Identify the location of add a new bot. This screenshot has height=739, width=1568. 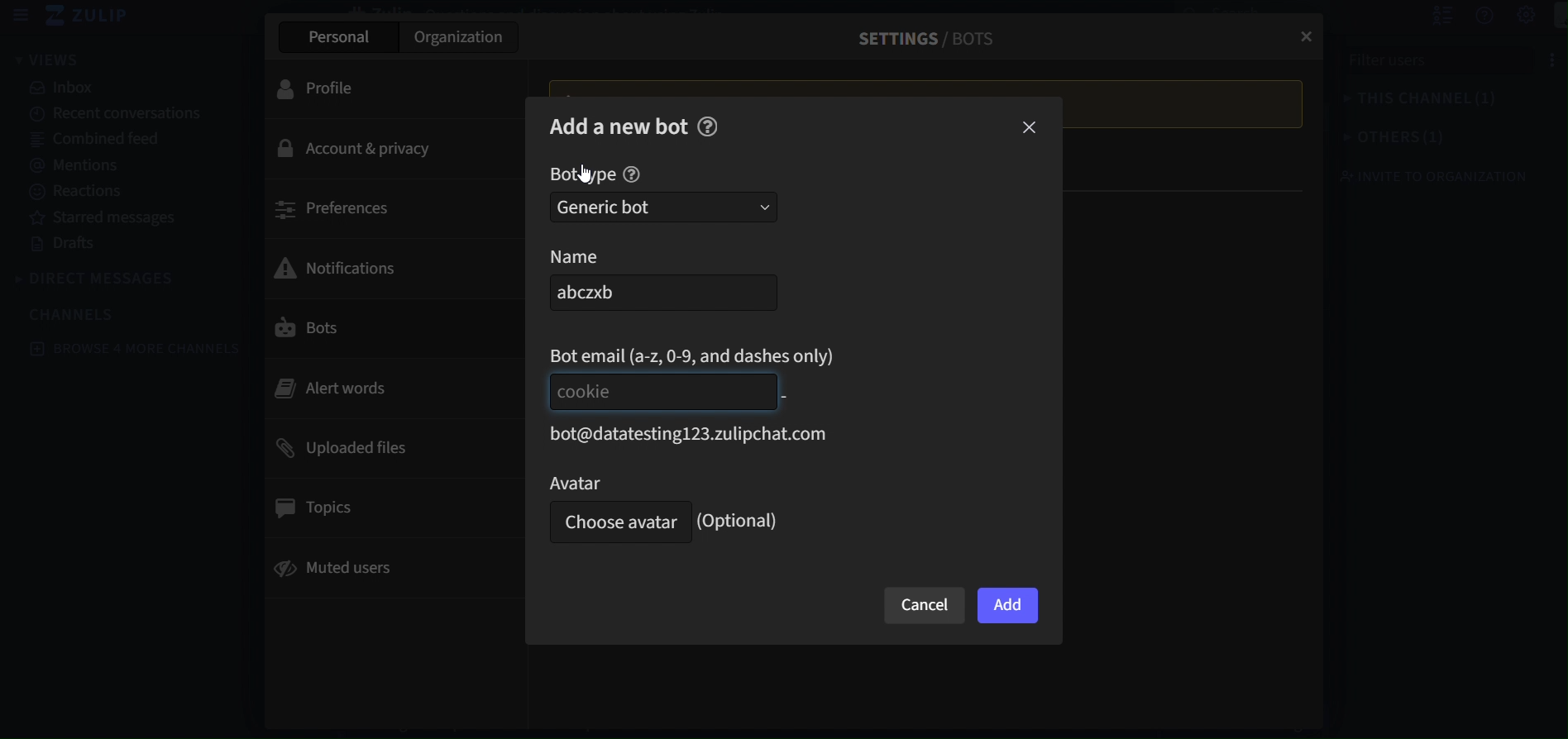
(619, 125).